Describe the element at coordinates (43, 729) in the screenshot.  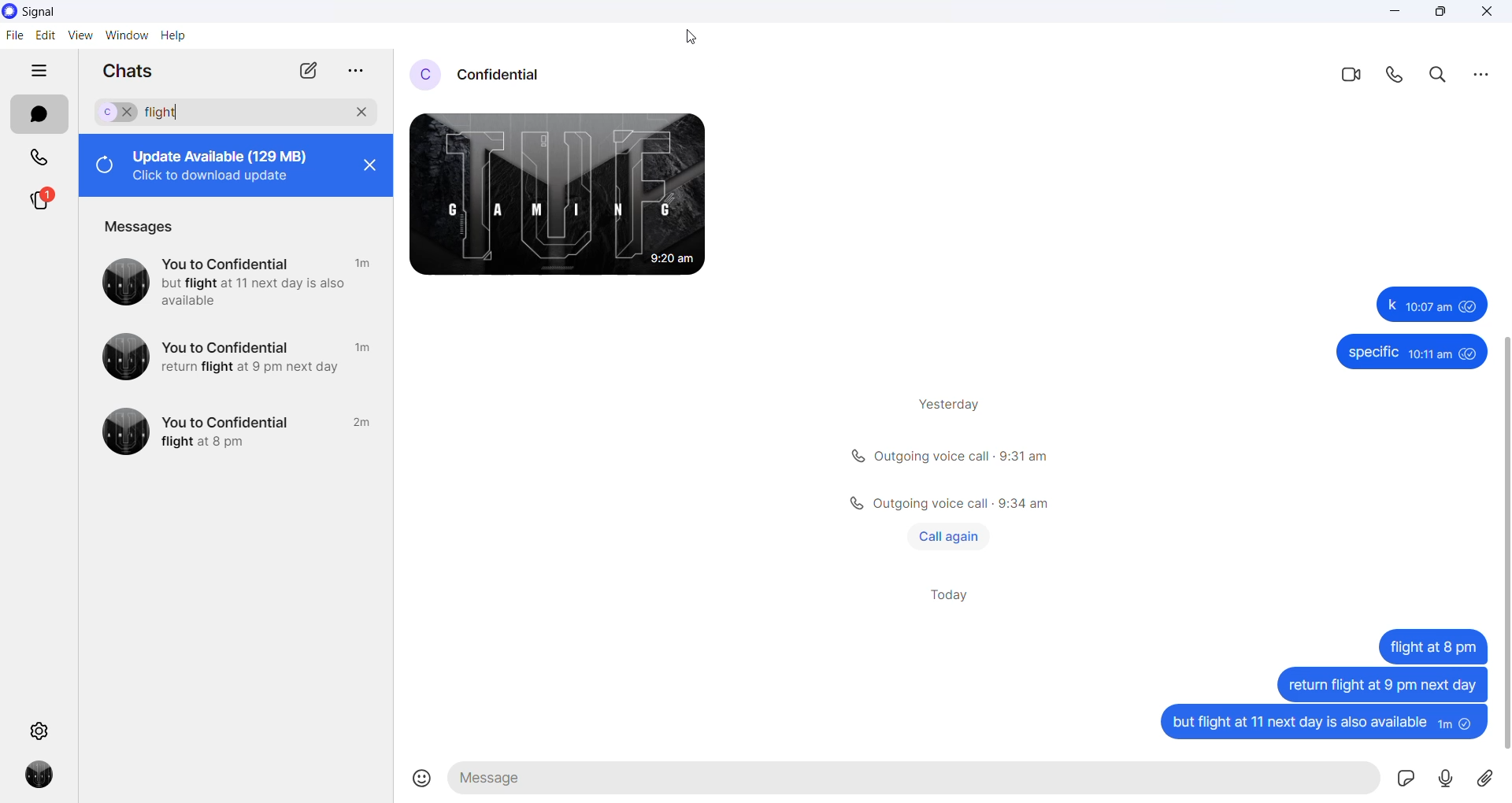
I see `settings` at that location.